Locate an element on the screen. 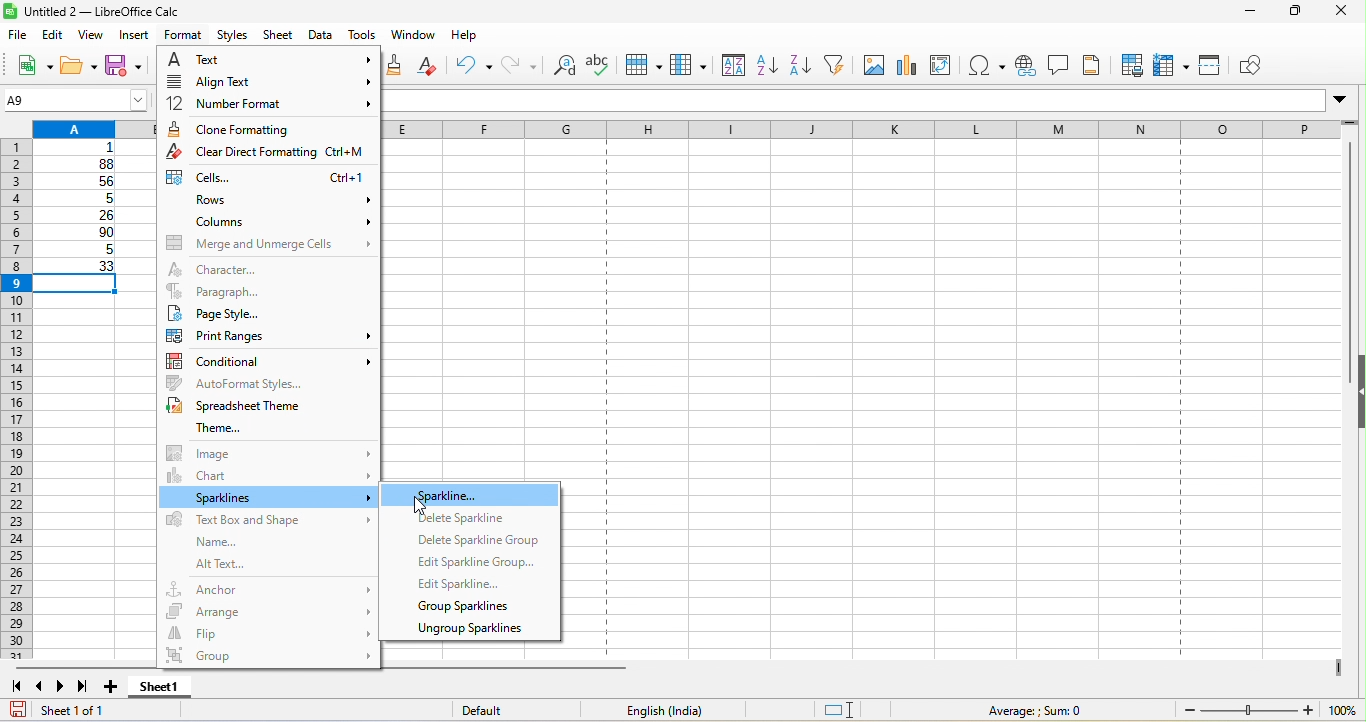  edit sparkline group is located at coordinates (474, 561).